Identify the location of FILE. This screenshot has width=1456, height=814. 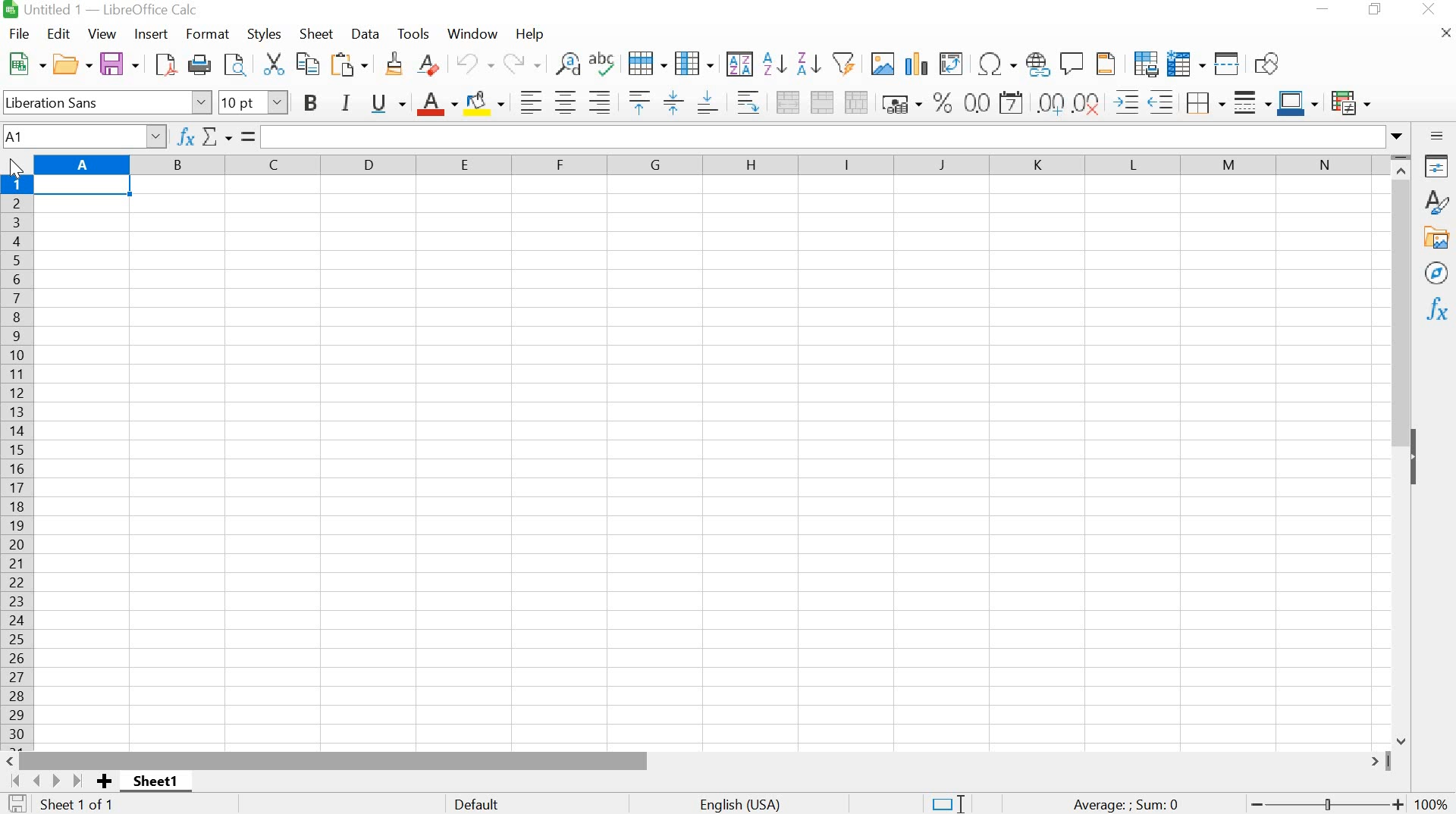
(18, 35).